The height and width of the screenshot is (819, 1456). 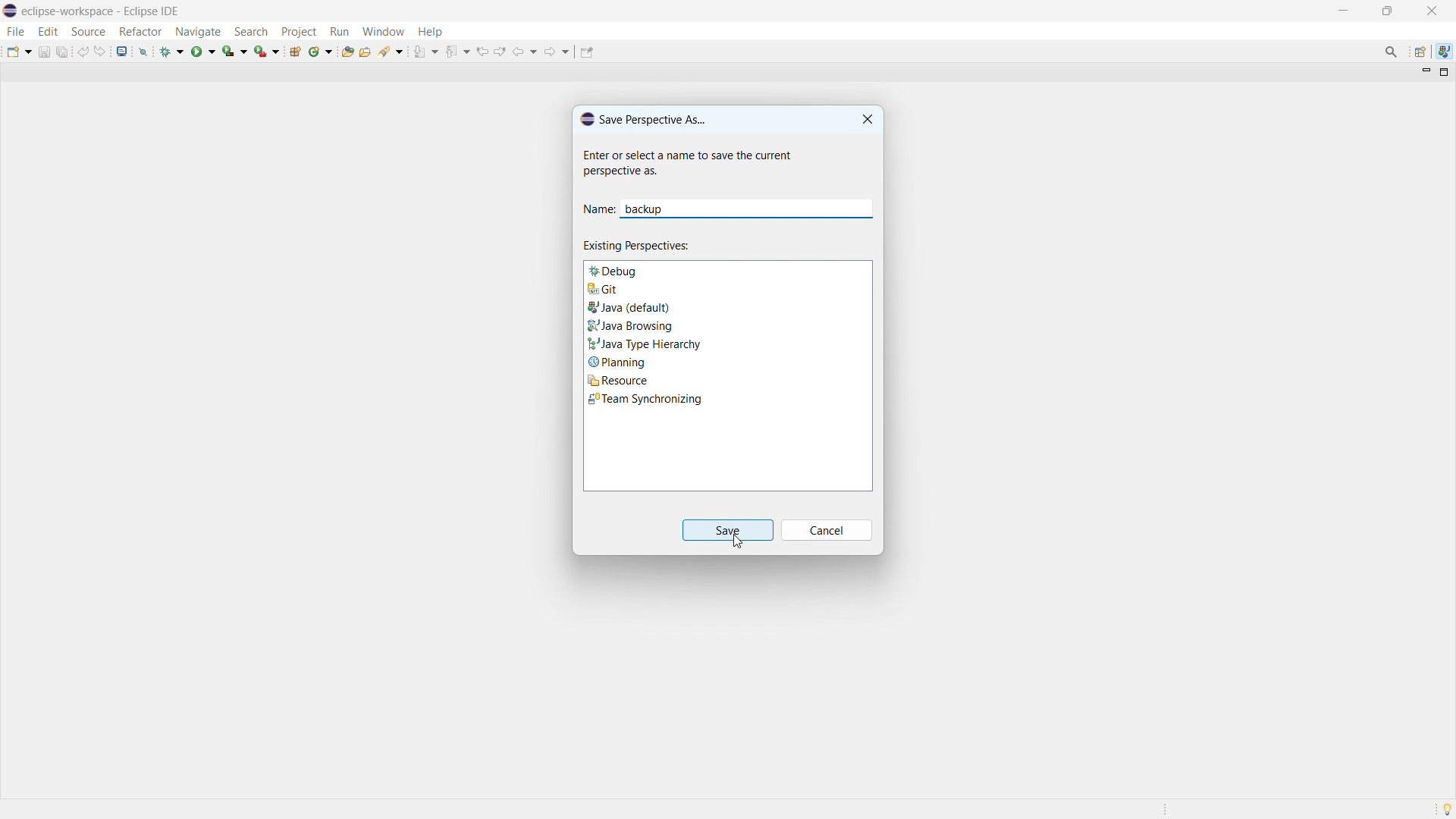 I want to click on Help tip, so click(x=689, y=163).